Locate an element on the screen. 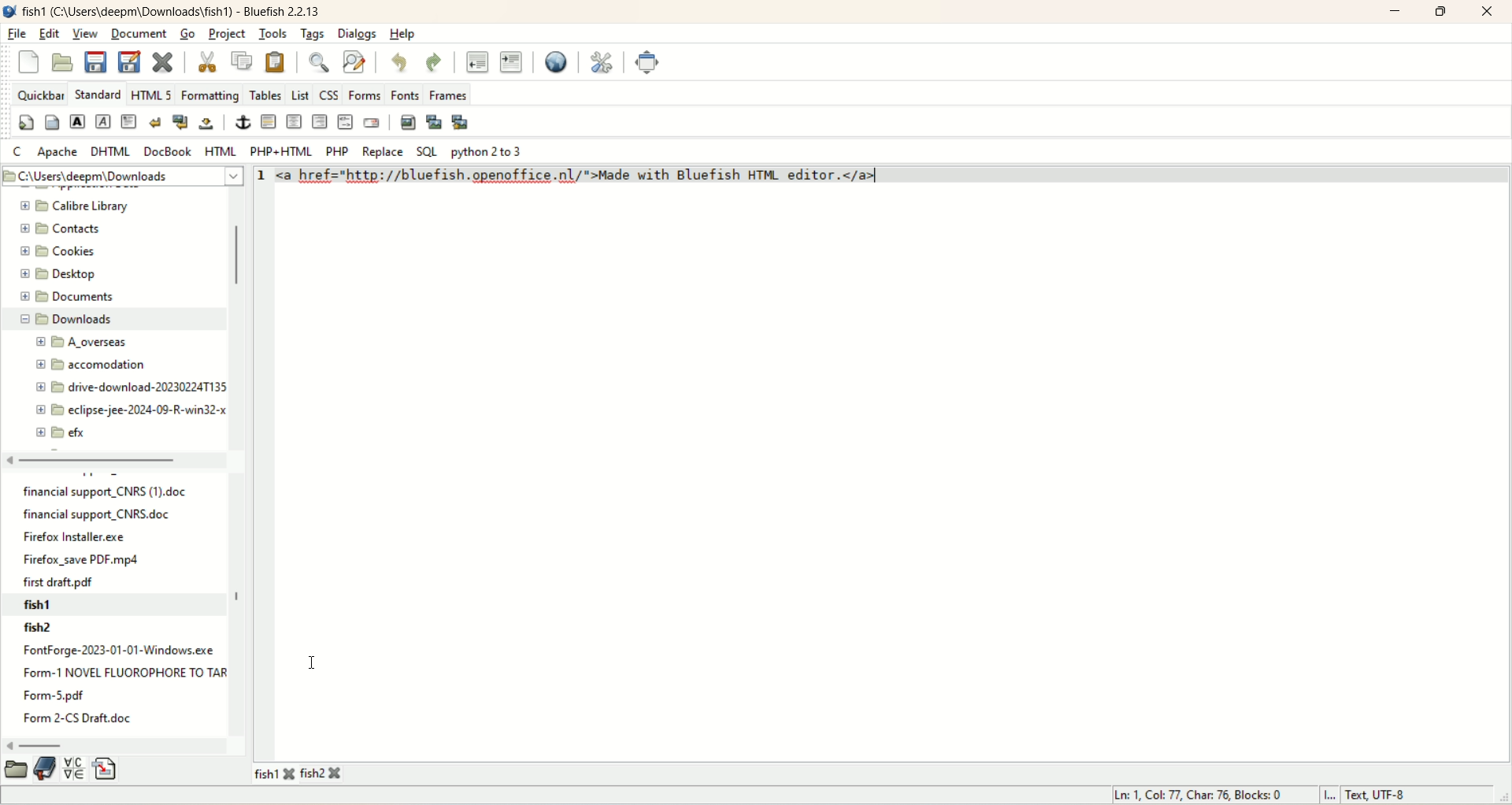 The image size is (1512, 805). project is located at coordinates (226, 33).